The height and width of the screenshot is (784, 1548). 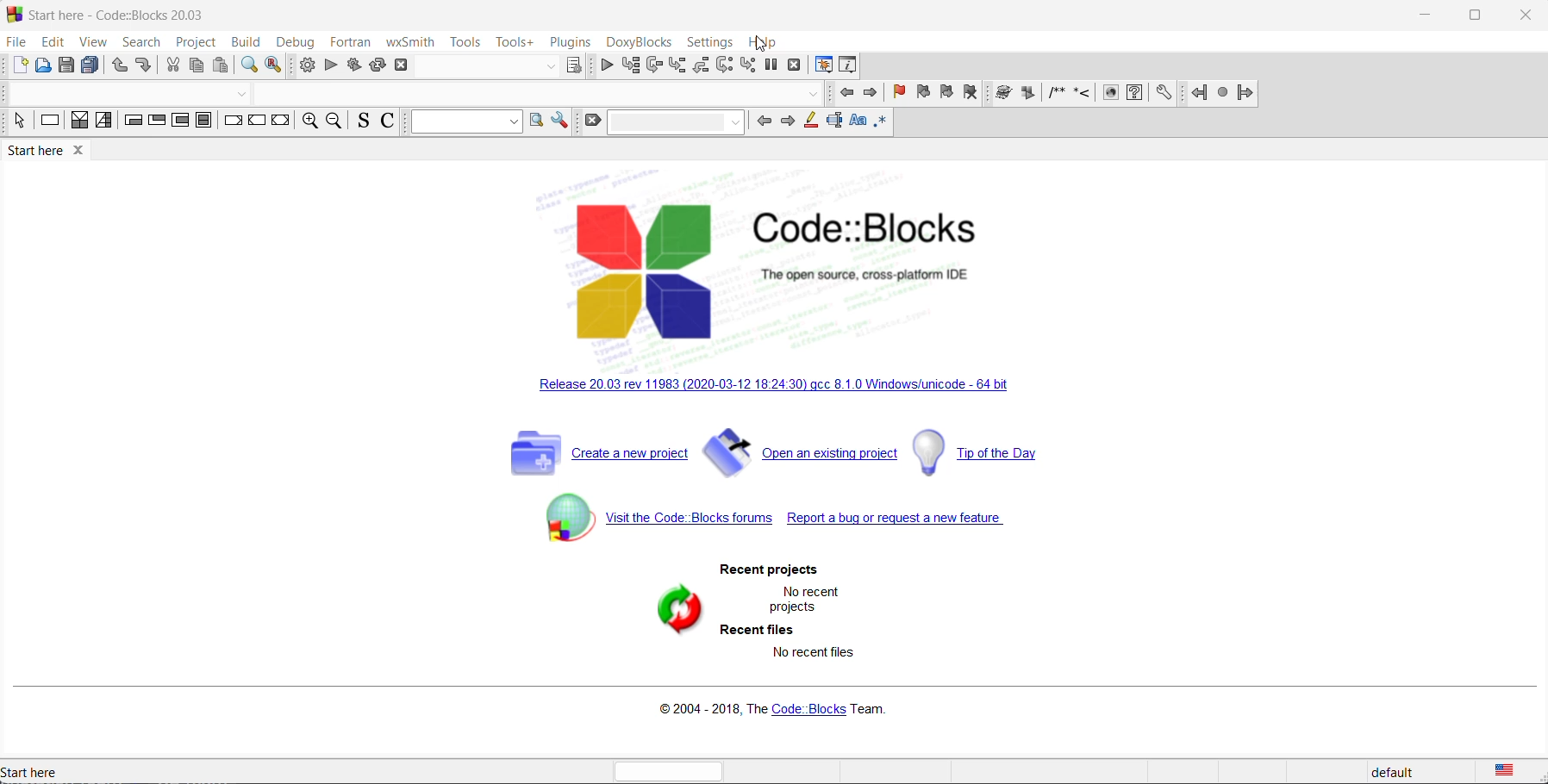 I want to click on add bookmark, so click(x=898, y=92).